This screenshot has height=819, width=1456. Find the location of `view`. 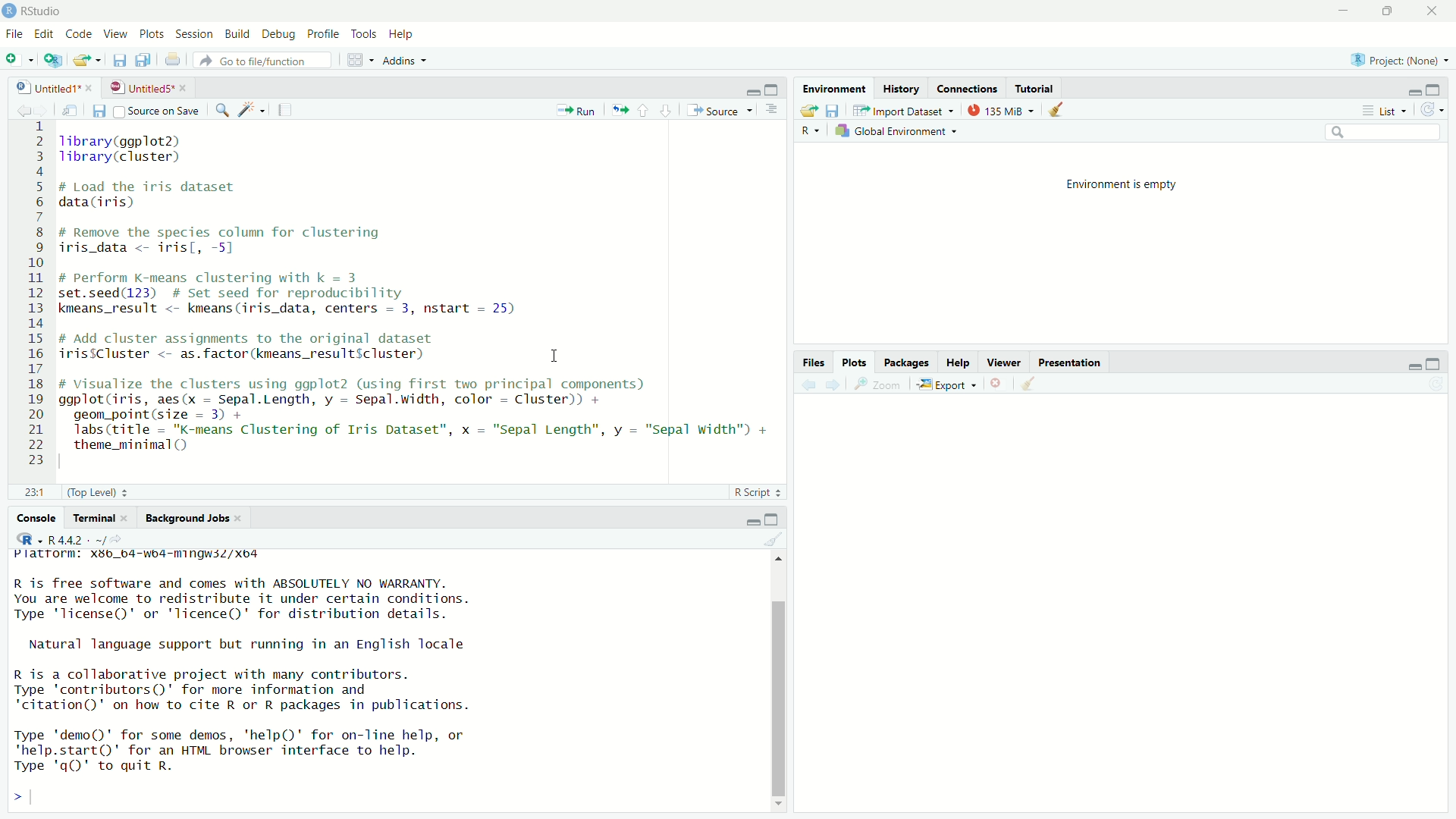

view is located at coordinates (112, 33).